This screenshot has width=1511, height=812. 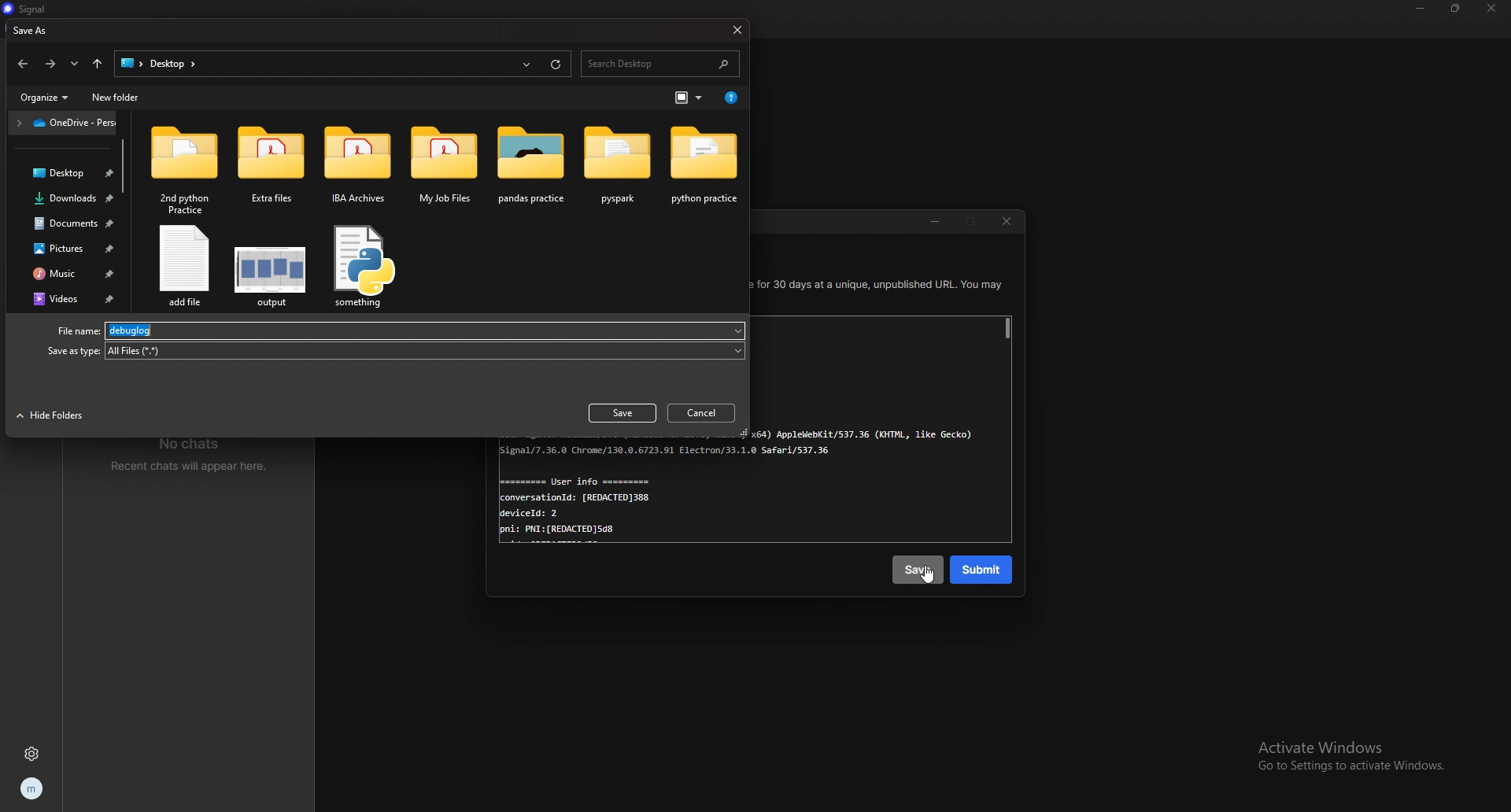 I want to click on organize, so click(x=45, y=98).